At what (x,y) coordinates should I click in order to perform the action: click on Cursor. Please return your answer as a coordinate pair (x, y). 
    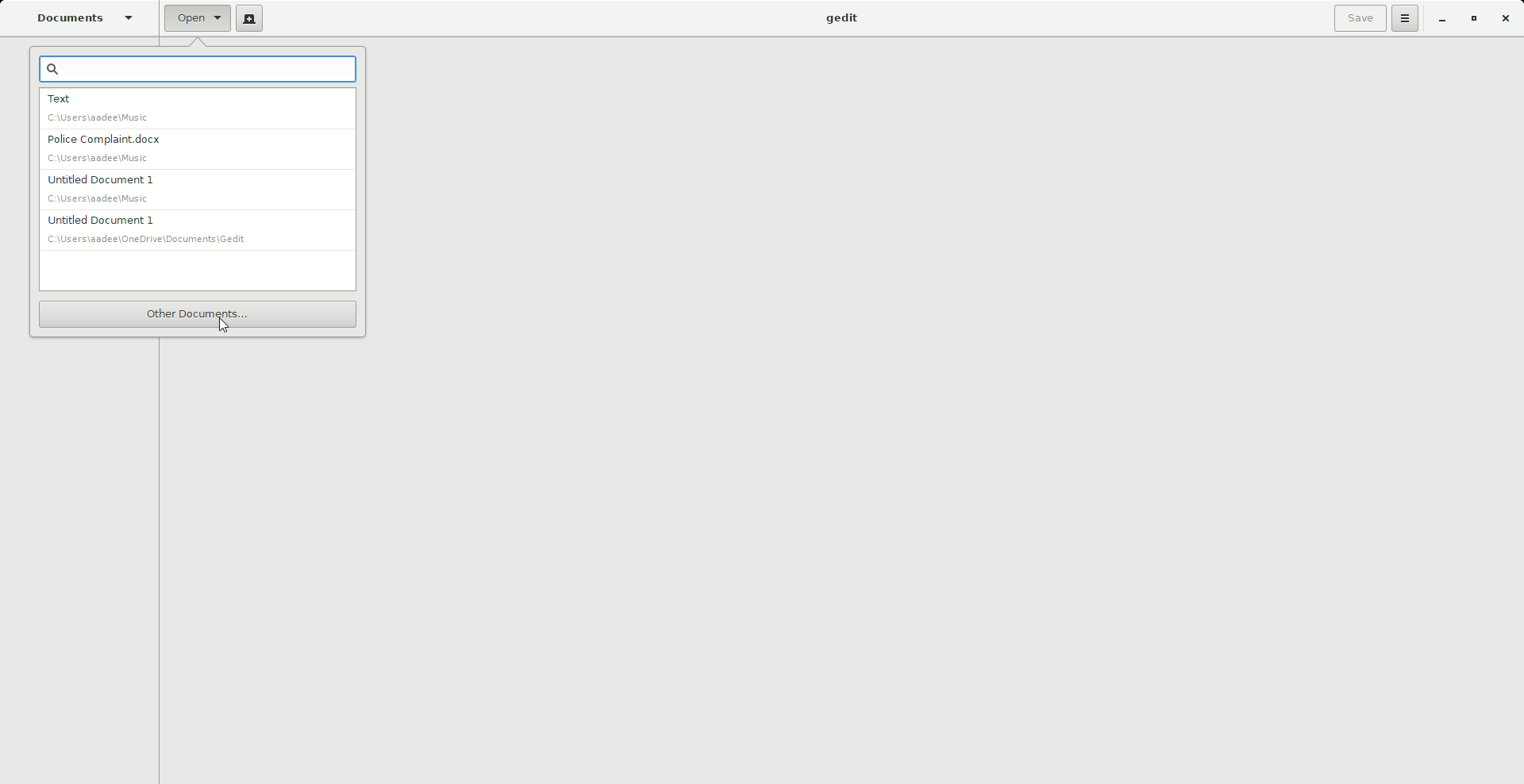
    Looking at the image, I should click on (223, 326).